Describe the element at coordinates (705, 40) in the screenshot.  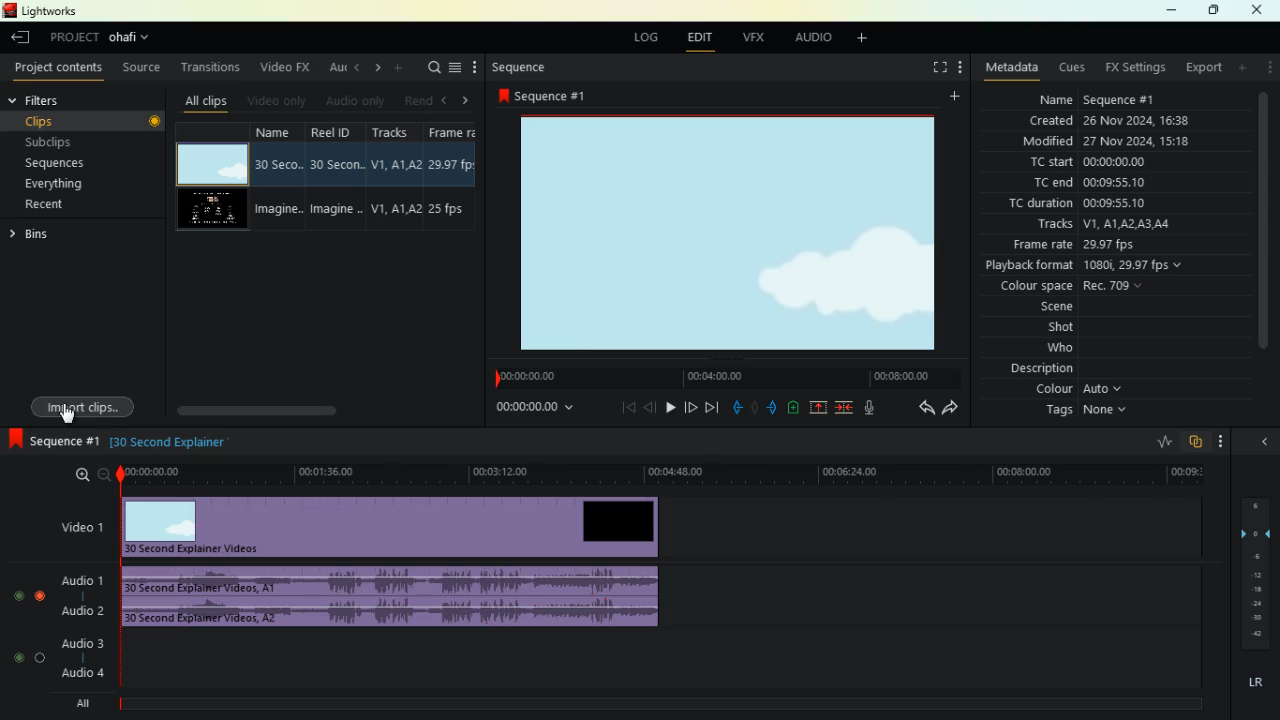
I see `edit` at that location.